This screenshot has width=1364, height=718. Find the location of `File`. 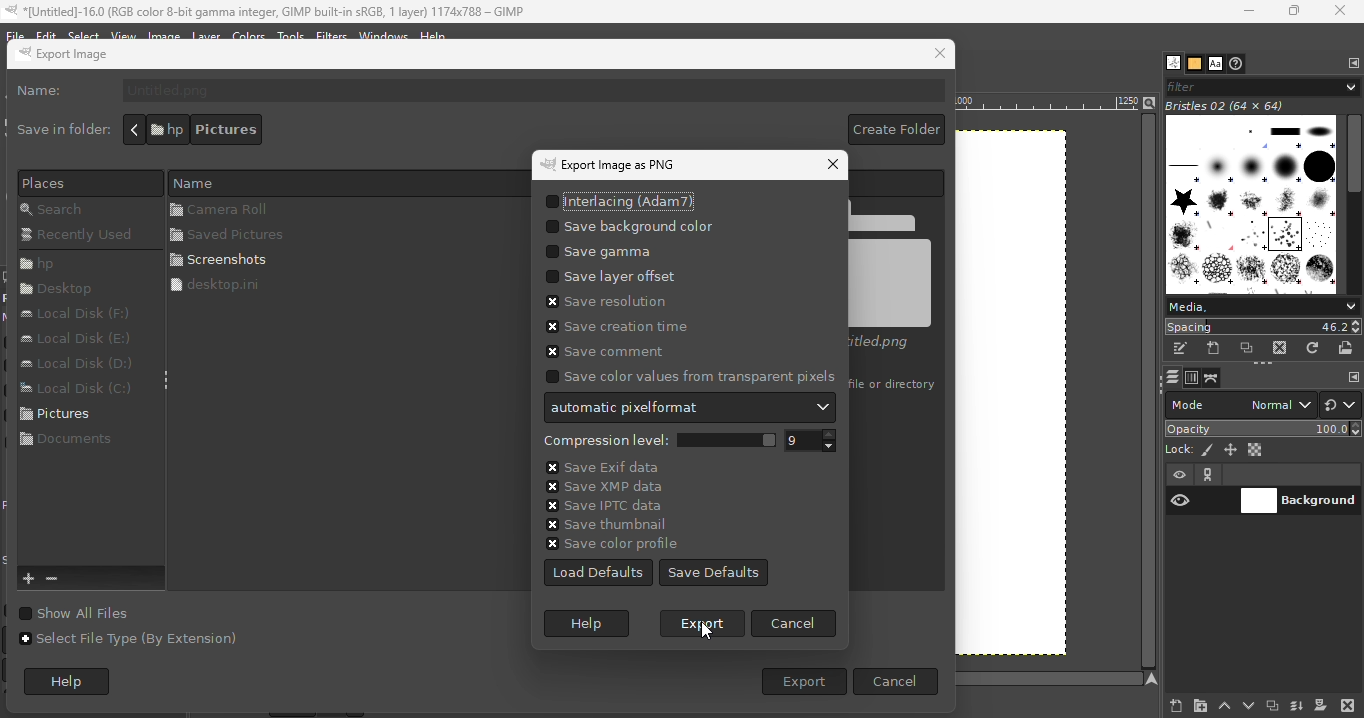

File is located at coordinates (14, 33).